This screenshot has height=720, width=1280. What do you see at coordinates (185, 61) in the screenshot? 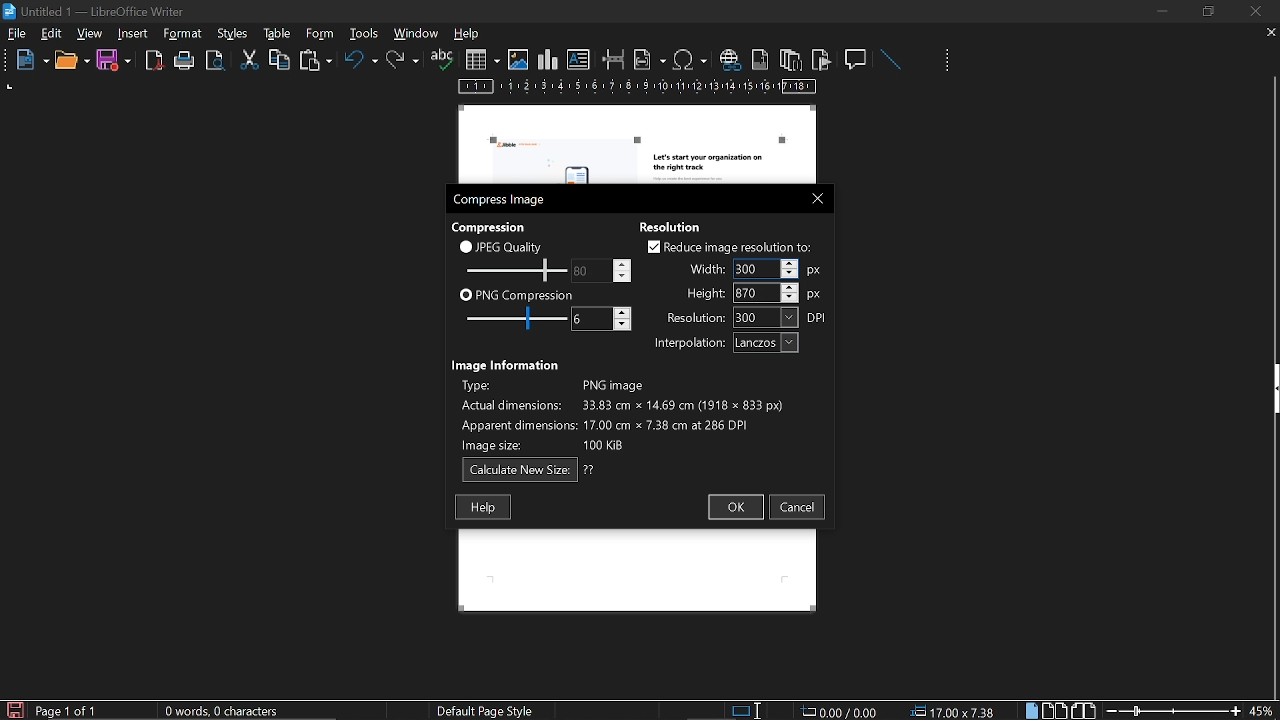
I see `print` at bounding box center [185, 61].